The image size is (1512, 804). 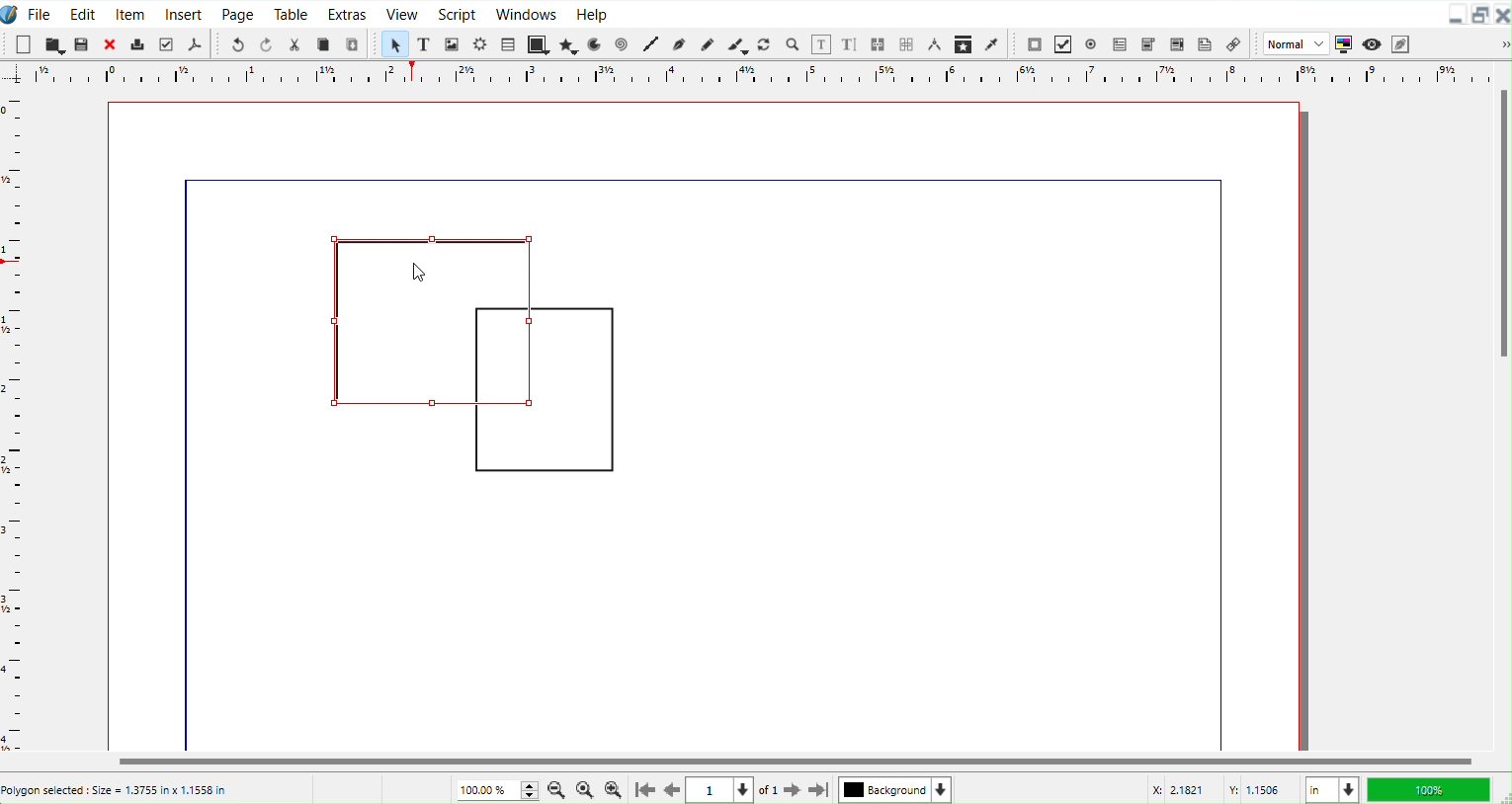 I want to click on Spiral, so click(x=623, y=43).